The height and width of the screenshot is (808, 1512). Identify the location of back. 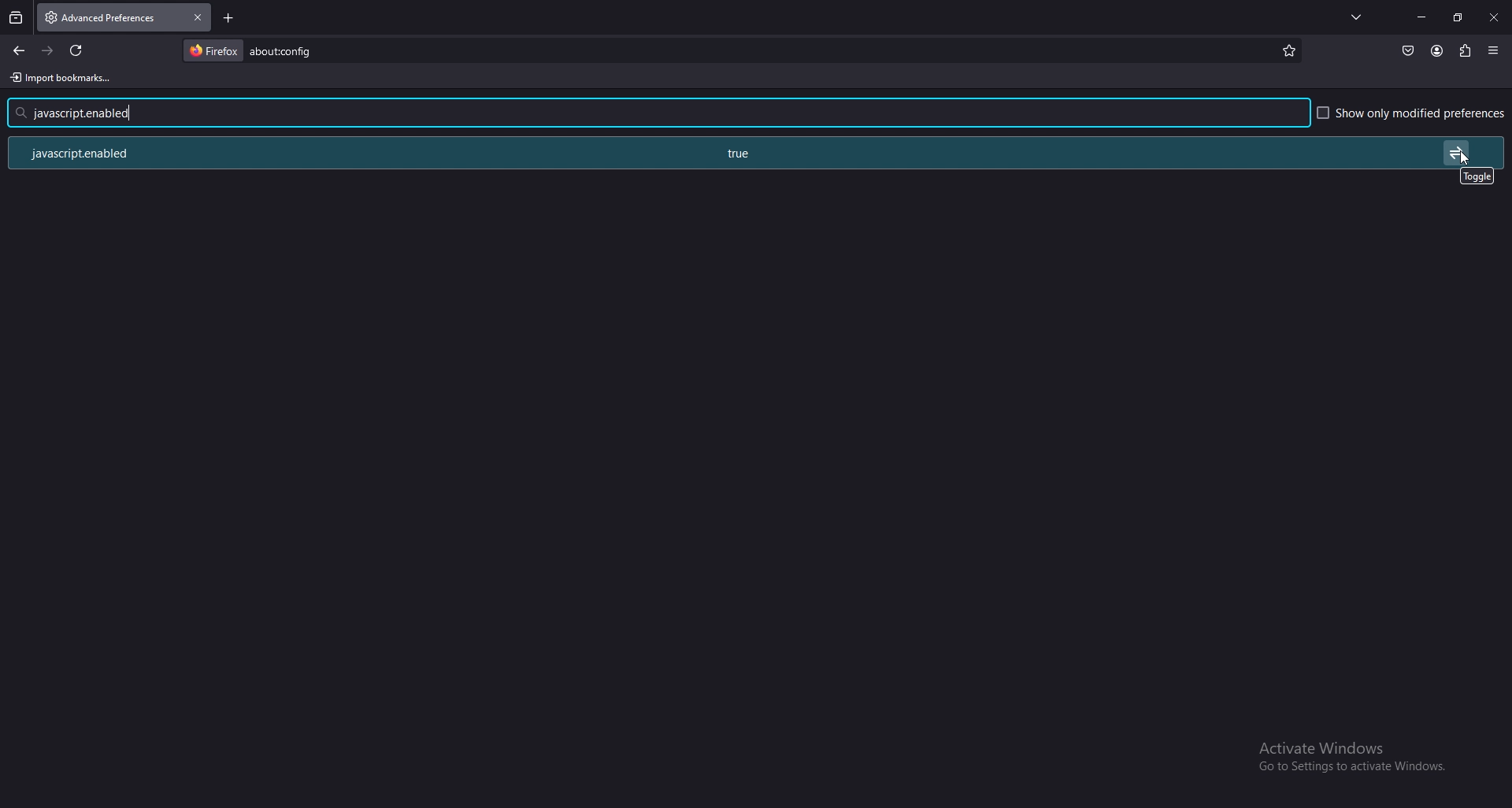
(19, 51).